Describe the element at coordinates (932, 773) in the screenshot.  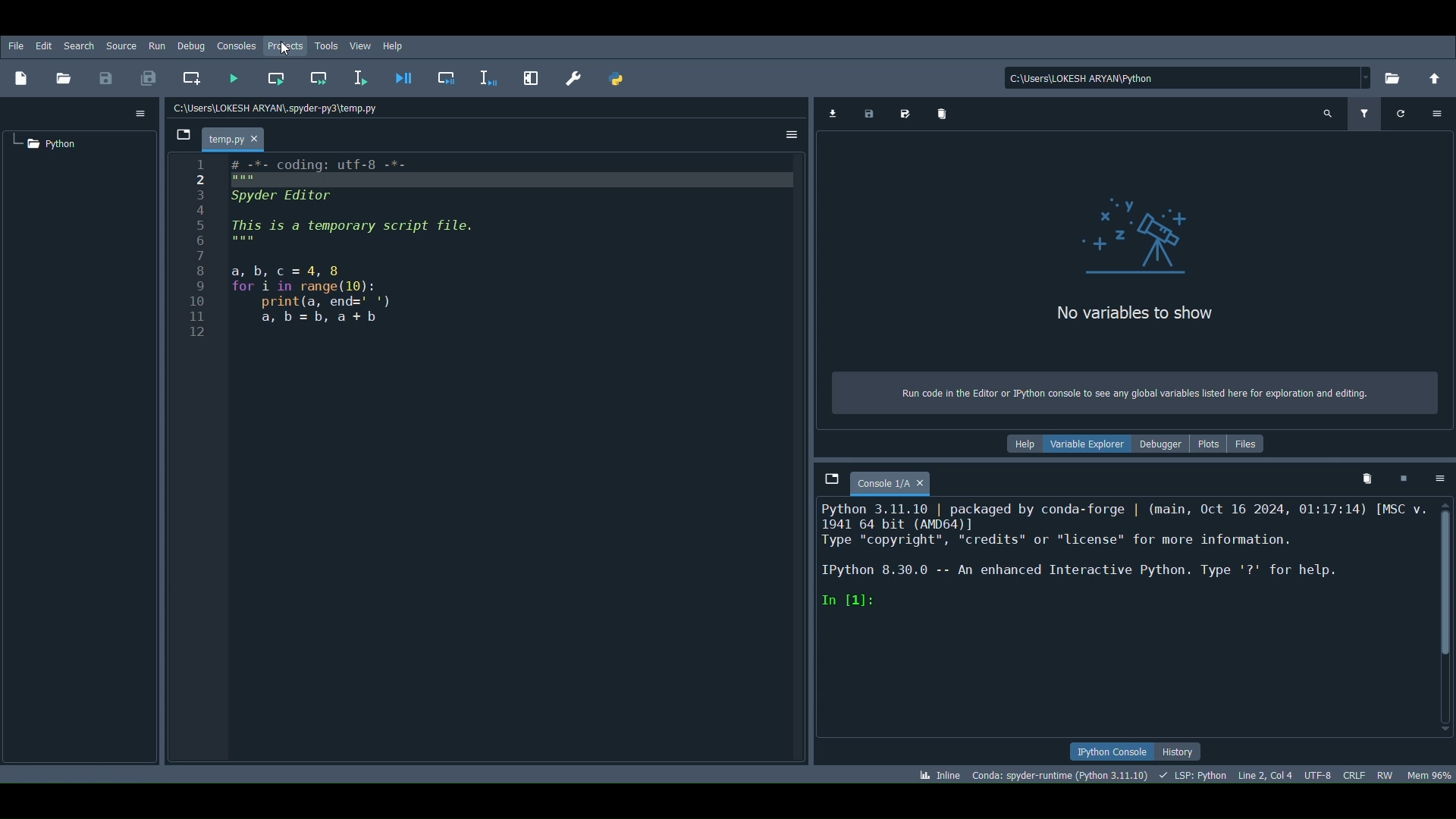
I see `Click to toggle between inline and interactive Matplotlib plotting` at that location.